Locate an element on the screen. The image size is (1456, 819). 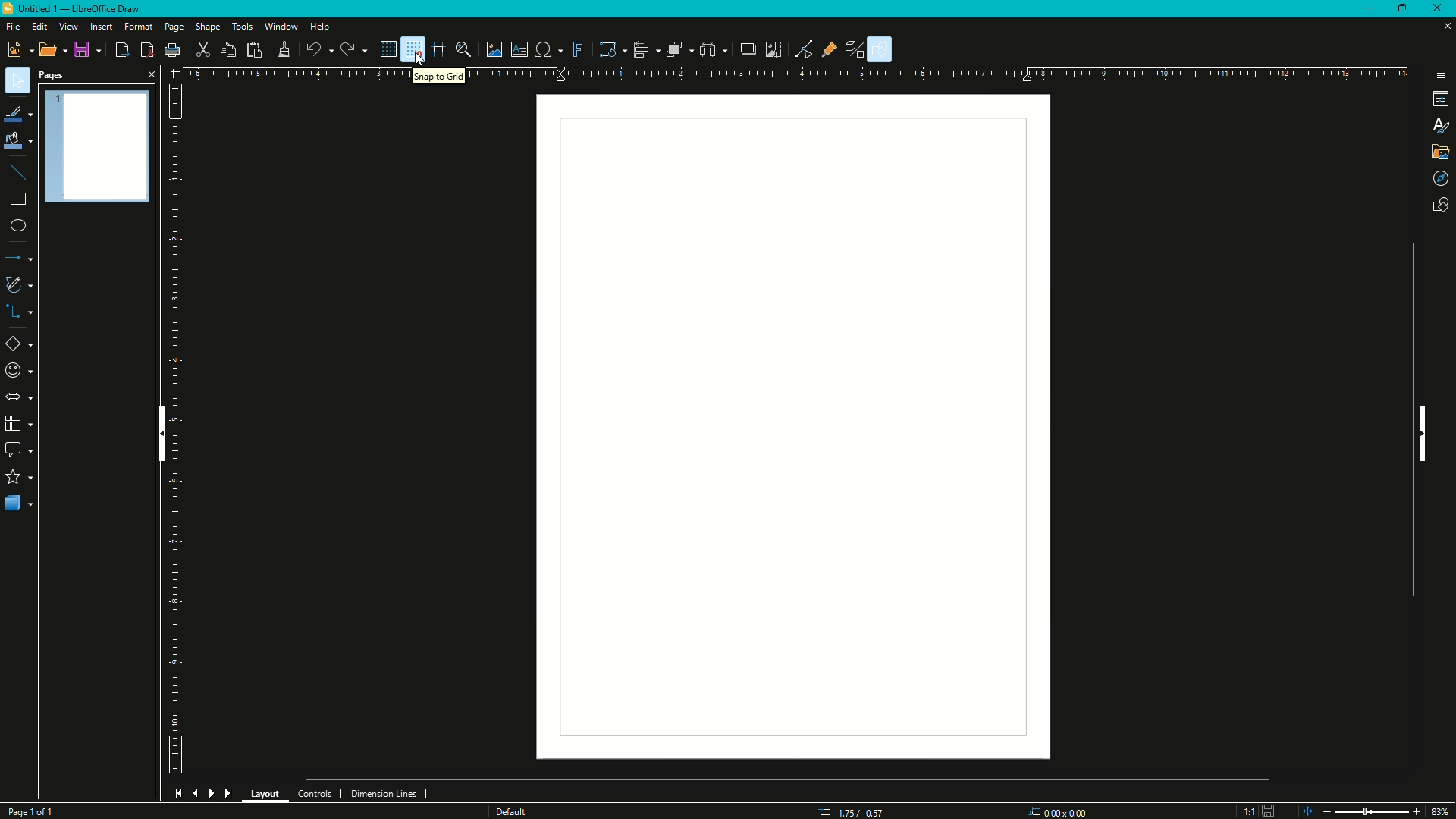
Transformation is located at coordinates (608, 49).